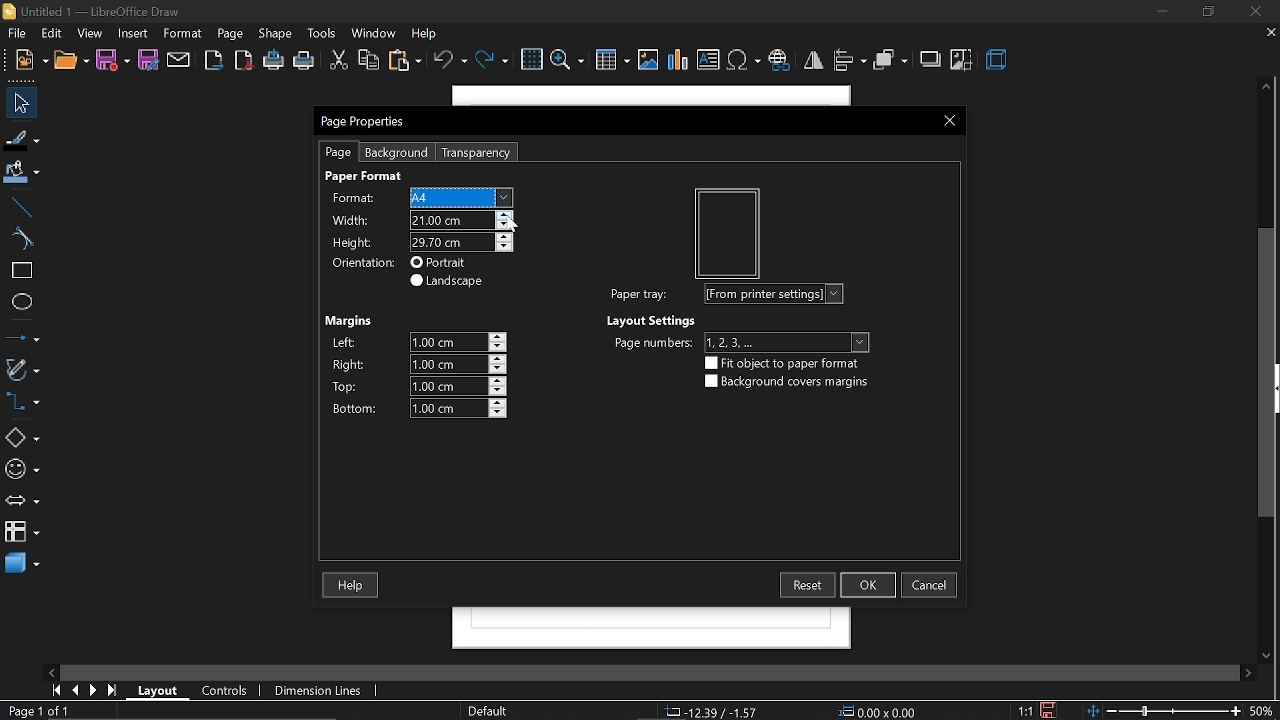  What do you see at coordinates (183, 34) in the screenshot?
I see `format` at bounding box center [183, 34].